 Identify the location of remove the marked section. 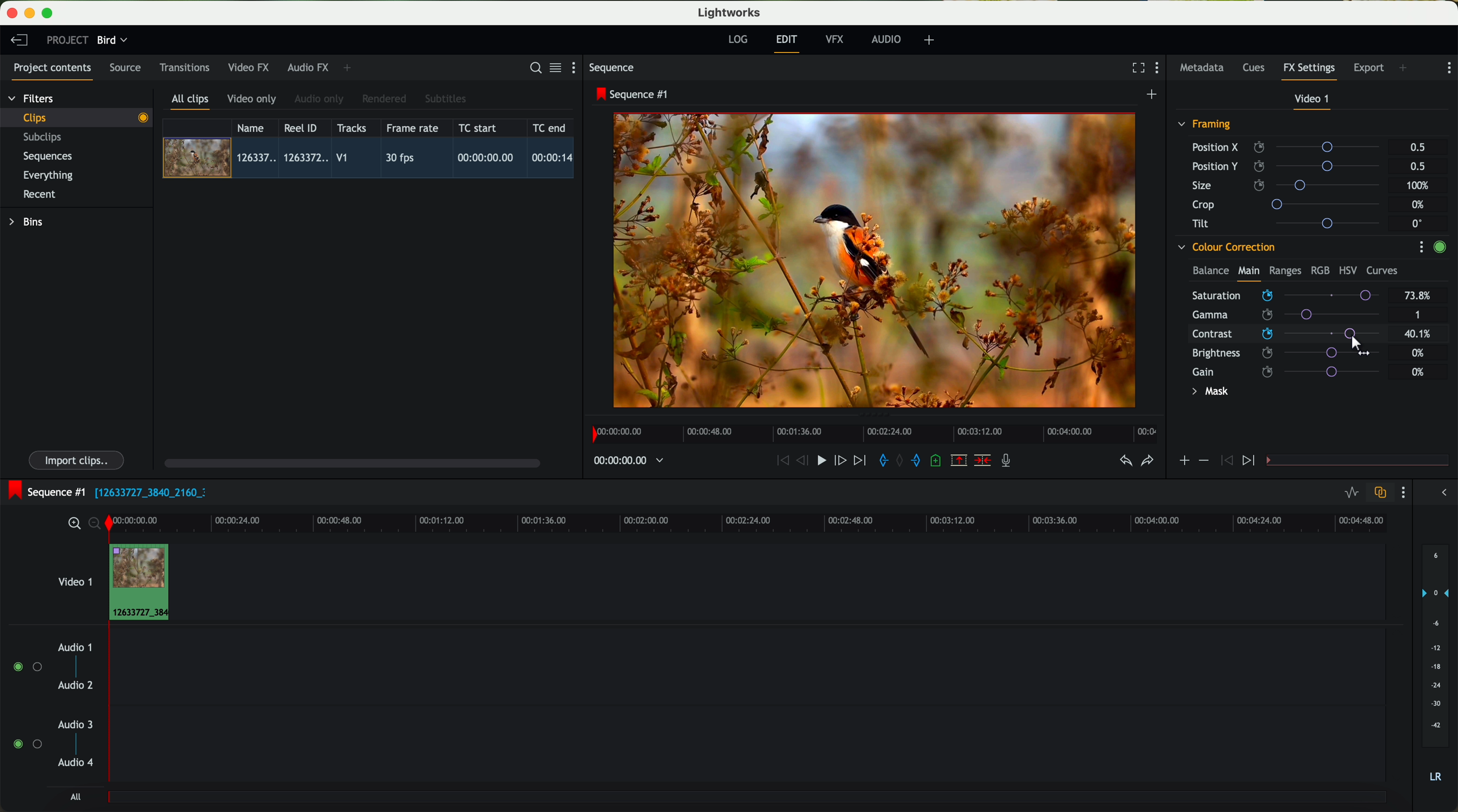
(960, 461).